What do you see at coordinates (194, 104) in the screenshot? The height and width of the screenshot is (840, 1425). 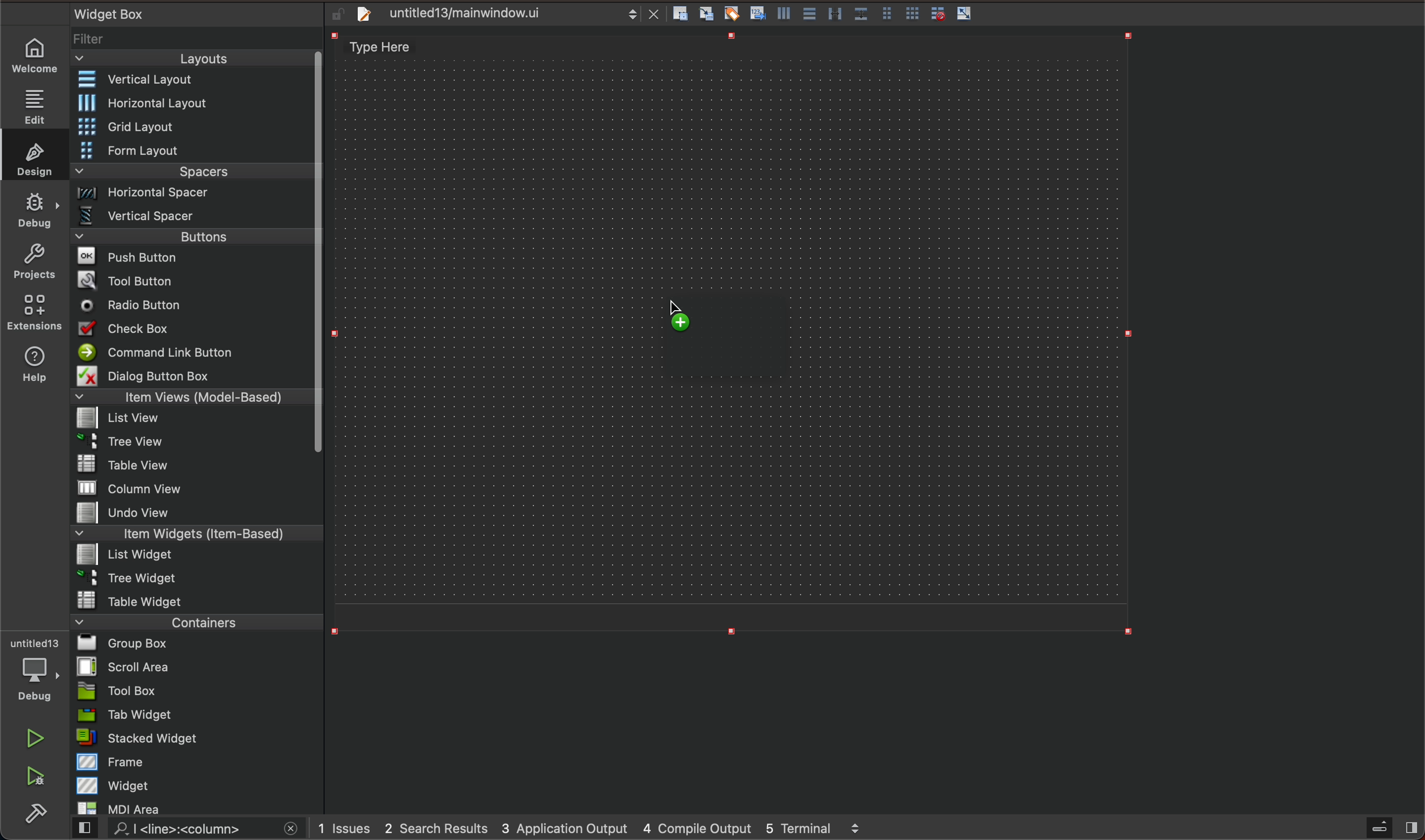 I see `Horizontal layout` at bounding box center [194, 104].